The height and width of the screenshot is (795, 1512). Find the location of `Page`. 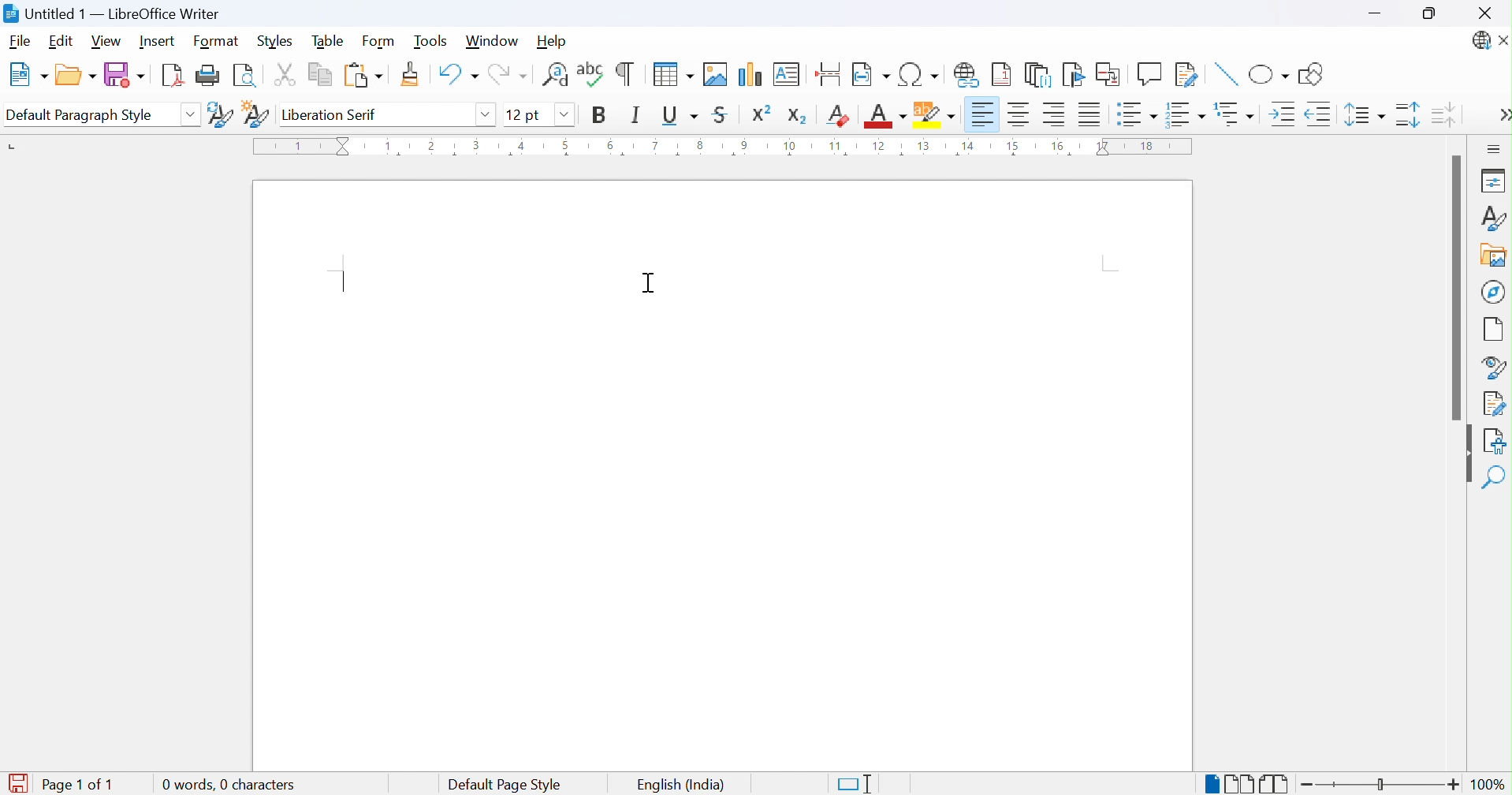

Page is located at coordinates (1493, 330).